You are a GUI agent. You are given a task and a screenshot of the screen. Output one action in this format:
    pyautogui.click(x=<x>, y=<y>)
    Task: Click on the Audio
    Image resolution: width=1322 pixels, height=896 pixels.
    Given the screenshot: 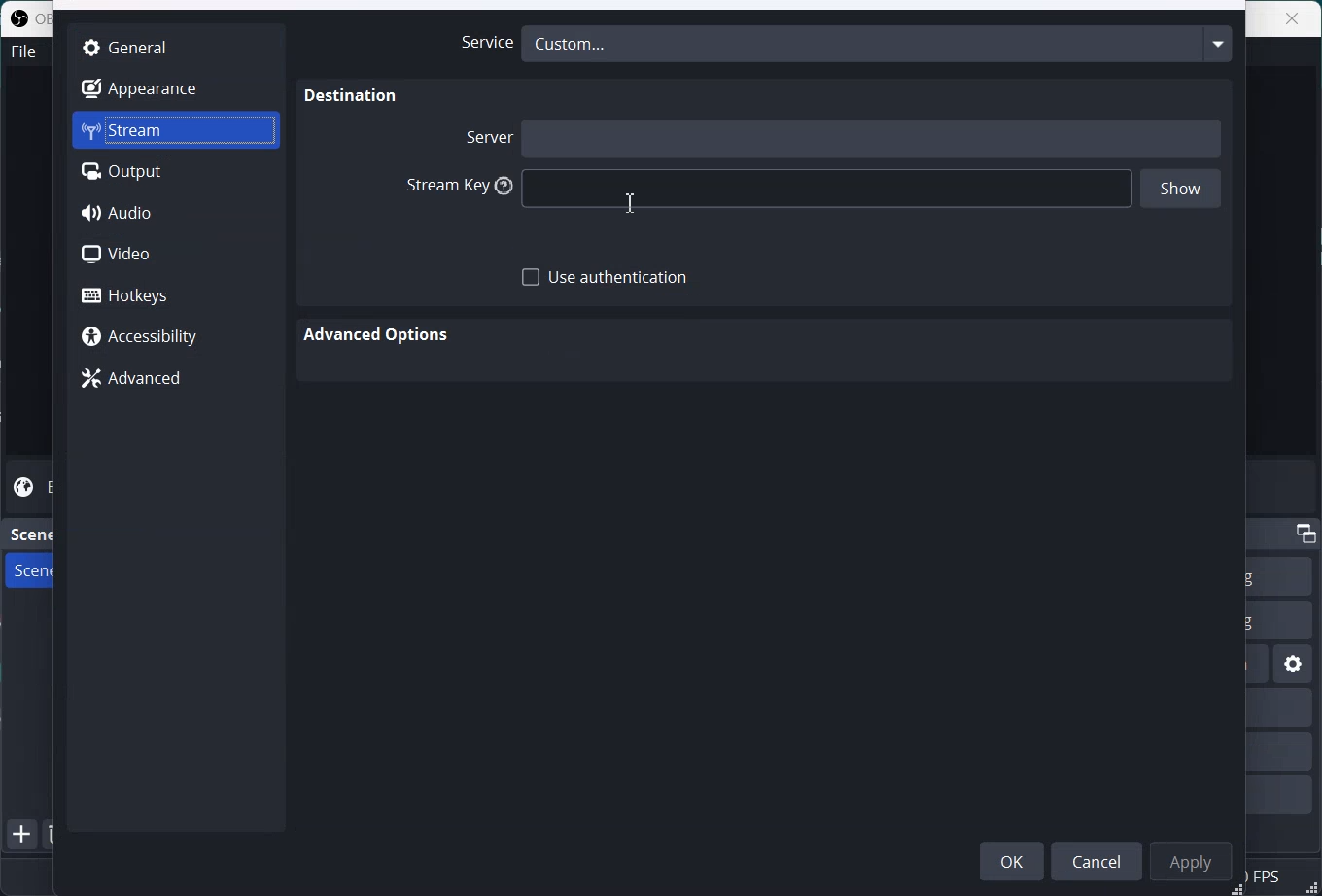 What is the action you would take?
    pyautogui.click(x=177, y=213)
    